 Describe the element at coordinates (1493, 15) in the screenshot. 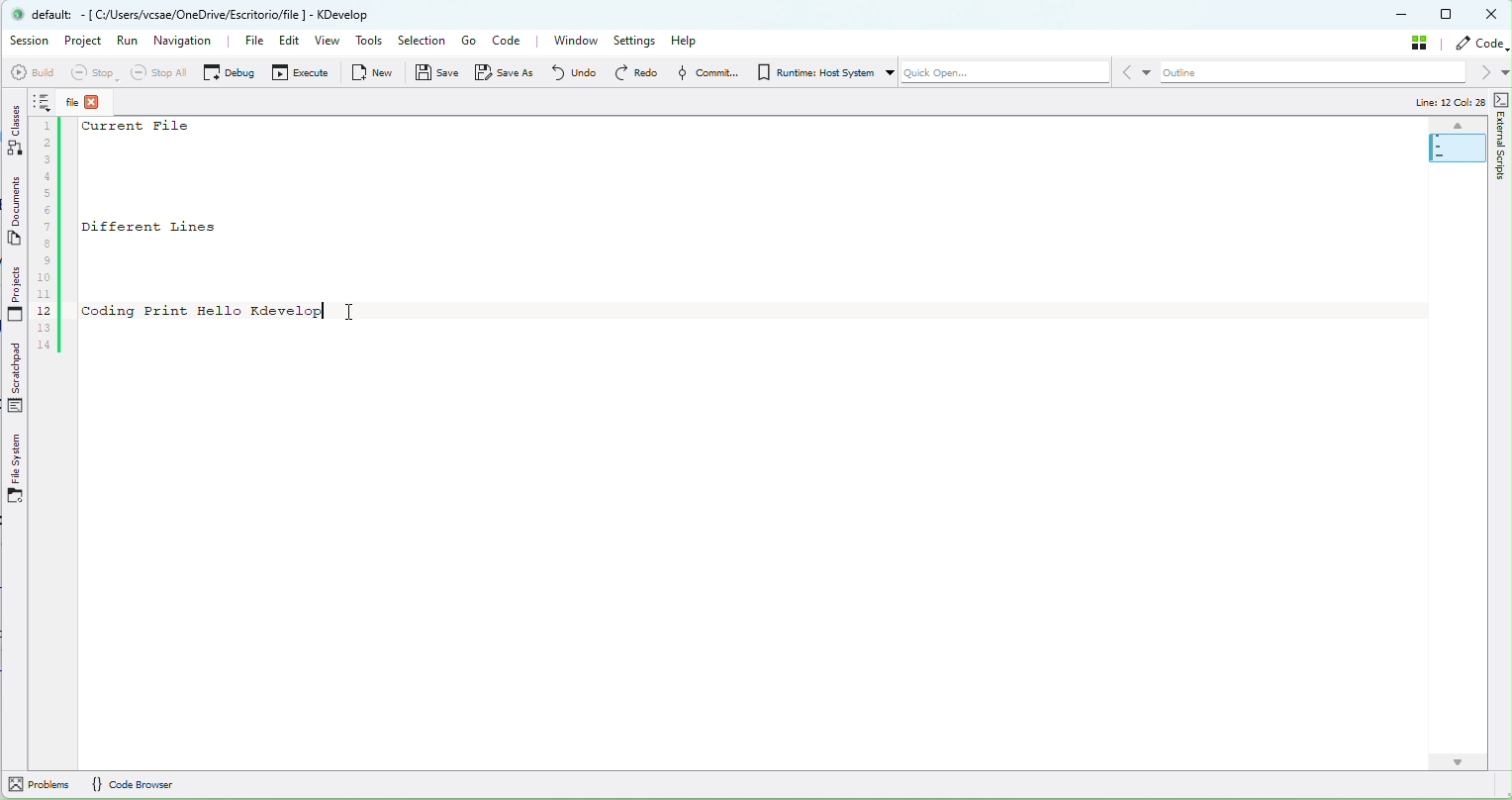

I see `Close` at that location.